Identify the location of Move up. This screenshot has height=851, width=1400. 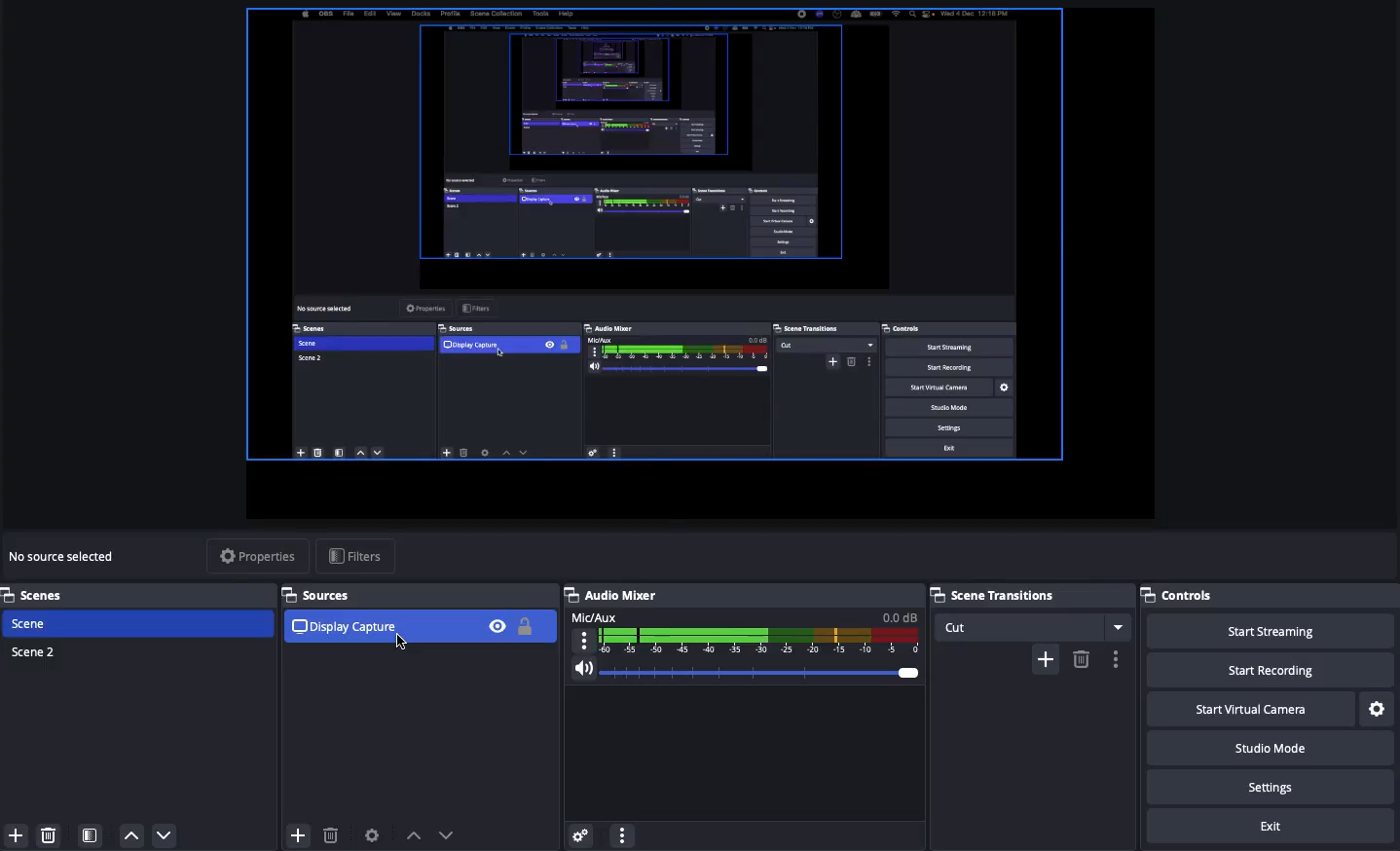
(133, 836).